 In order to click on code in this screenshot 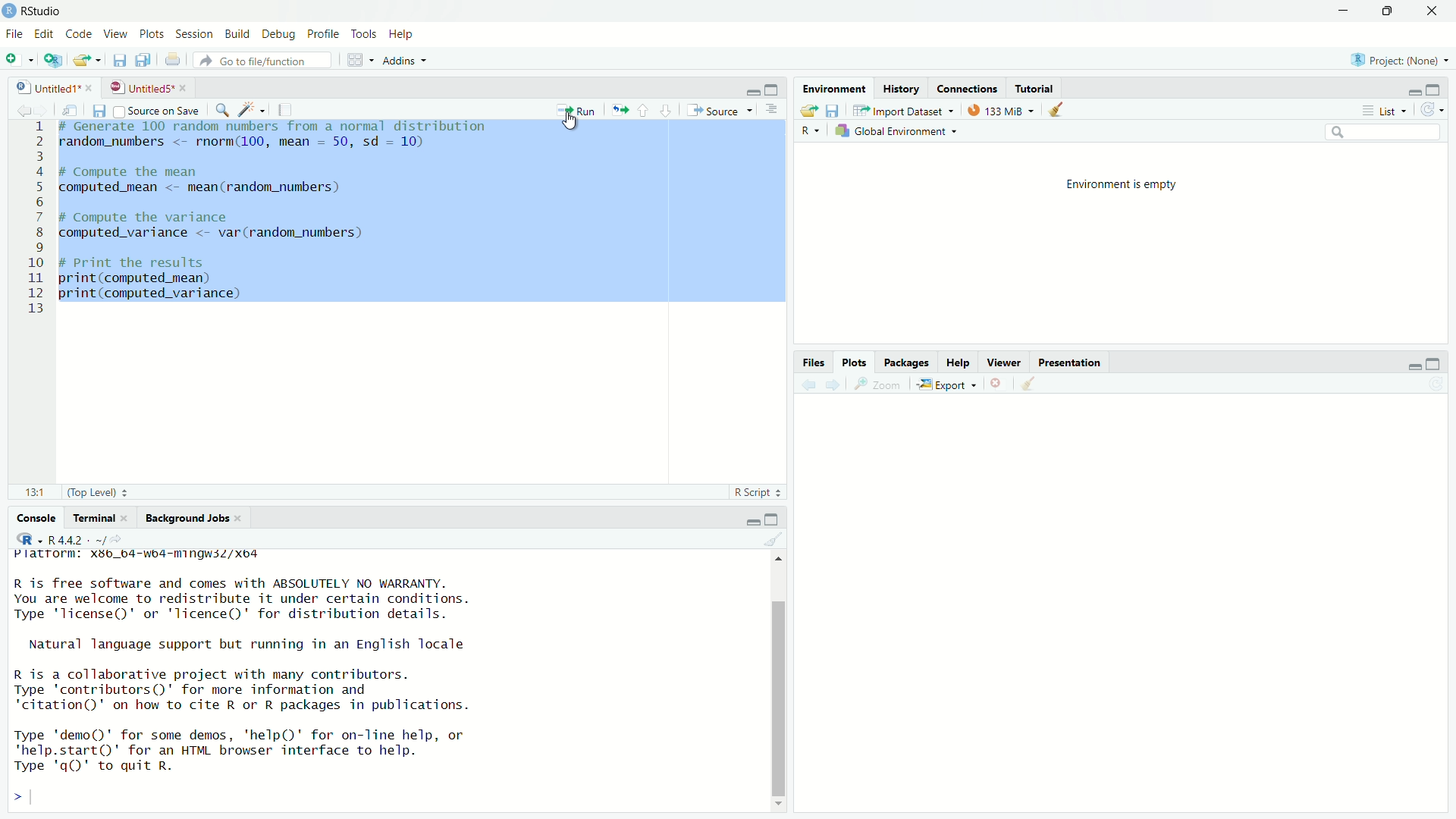, I will do `click(79, 34)`.